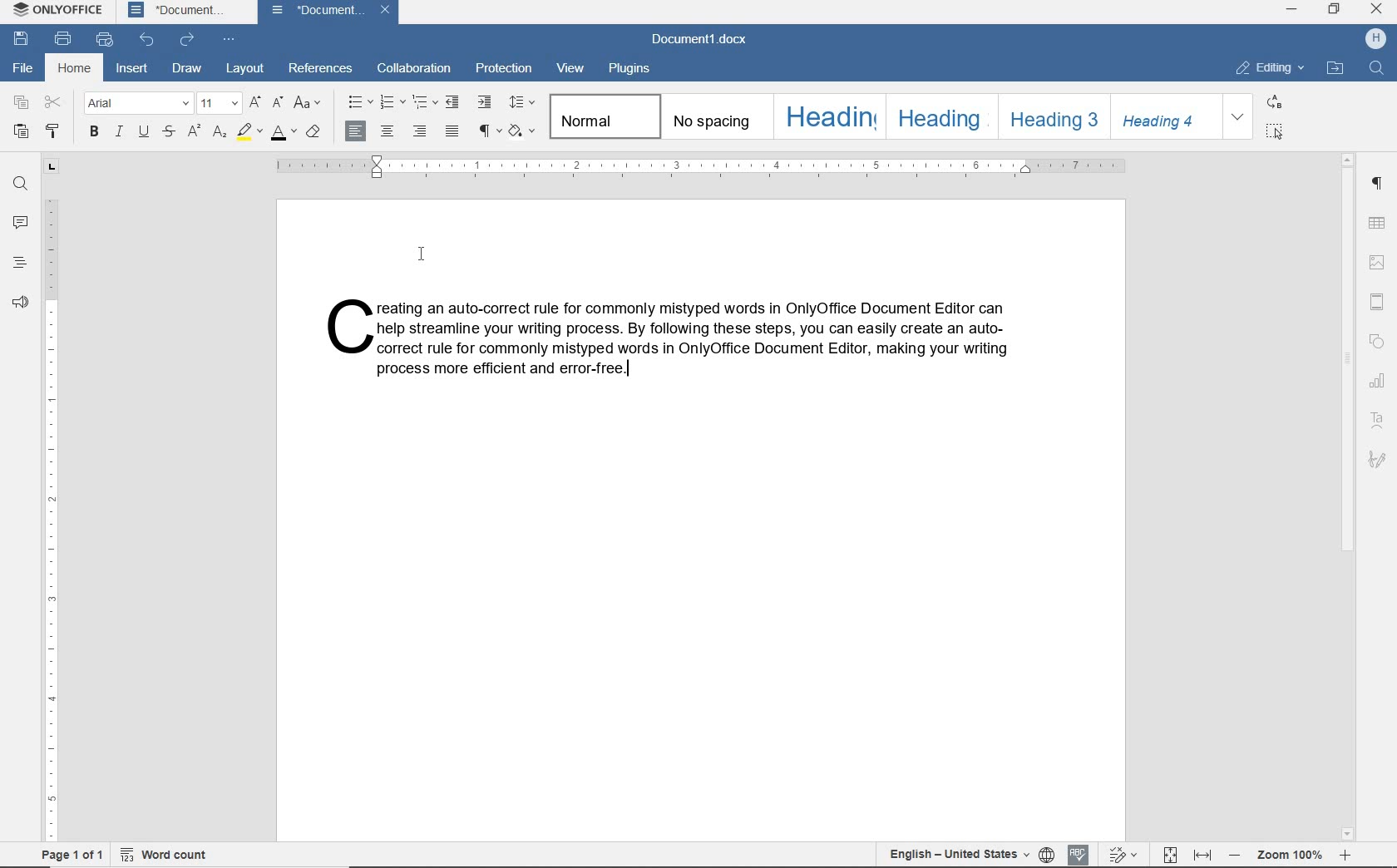 The height and width of the screenshot is (868, 1397). What do you see at coordinates (1375, 8) in the screenshot?
I see `CLOSE` at bounding box center [1375, 8].